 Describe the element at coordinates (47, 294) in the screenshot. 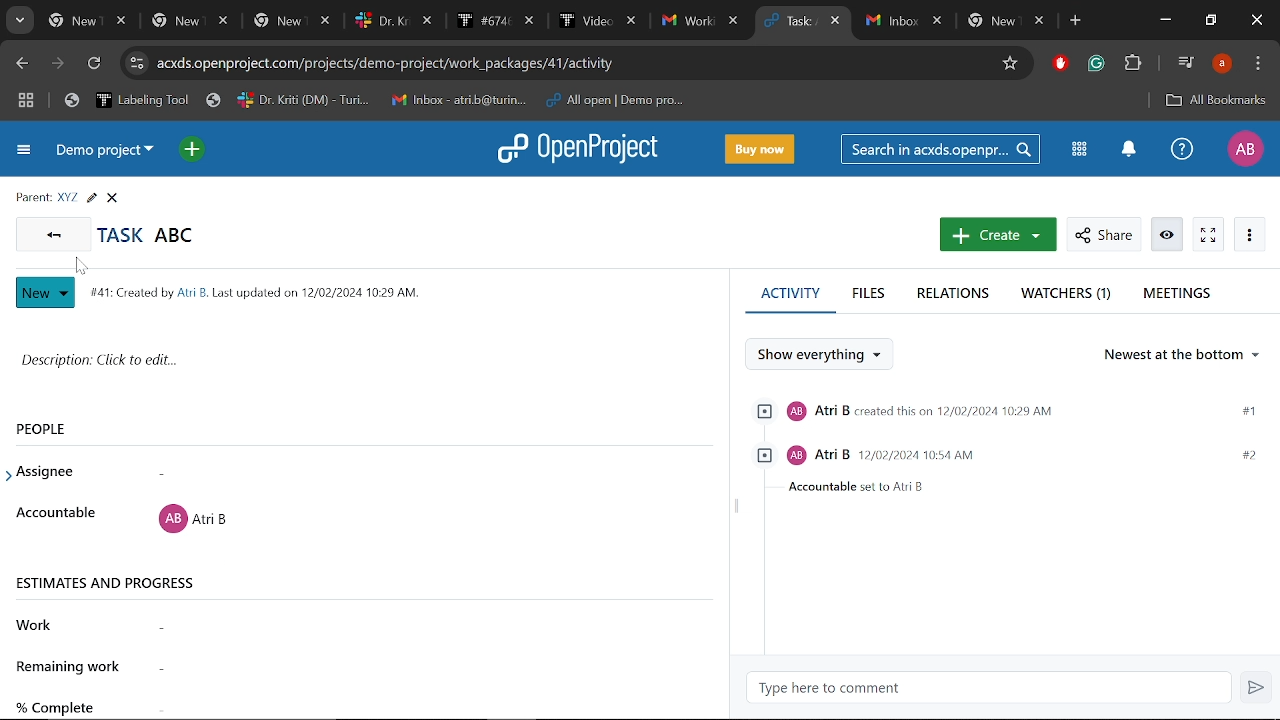

I see `New` at that location.